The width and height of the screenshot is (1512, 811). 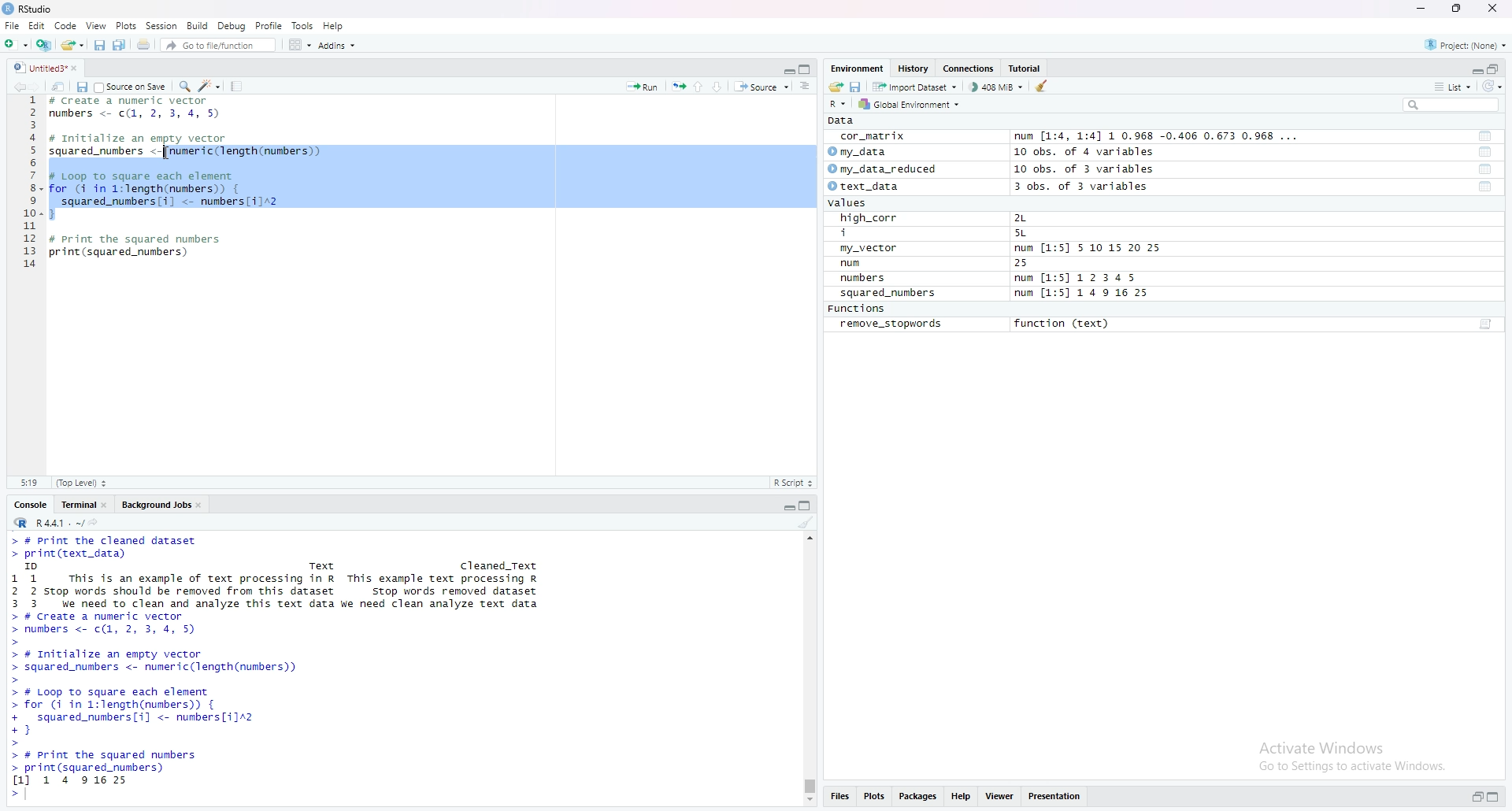 I want to click on Load Workspace, so click(x=836, y=85).